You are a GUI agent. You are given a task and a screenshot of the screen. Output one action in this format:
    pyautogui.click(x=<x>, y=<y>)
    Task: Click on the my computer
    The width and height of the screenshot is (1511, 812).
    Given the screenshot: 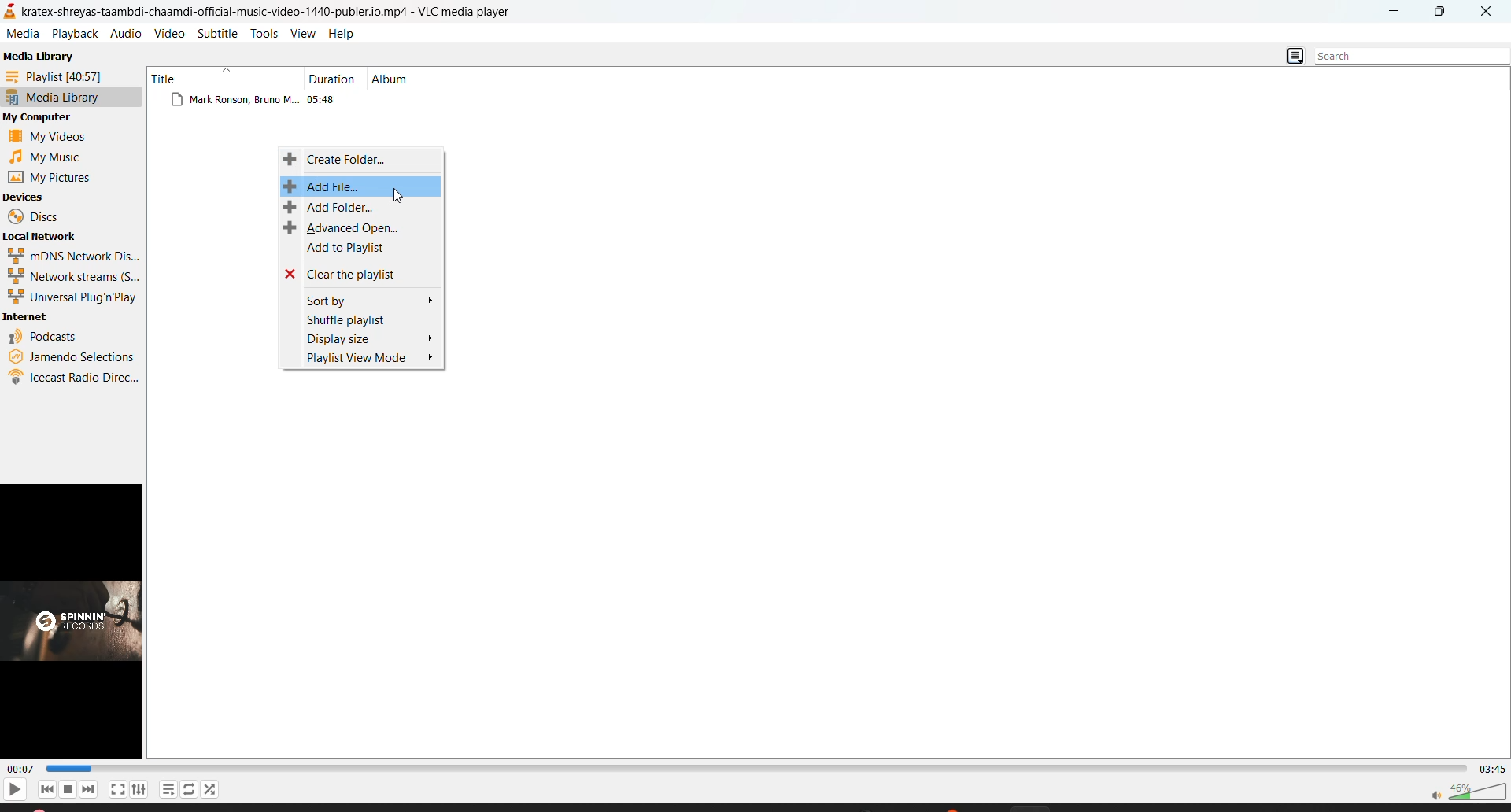 What is the action you would take?
    pyautogui.click(x=44, y=119)
    